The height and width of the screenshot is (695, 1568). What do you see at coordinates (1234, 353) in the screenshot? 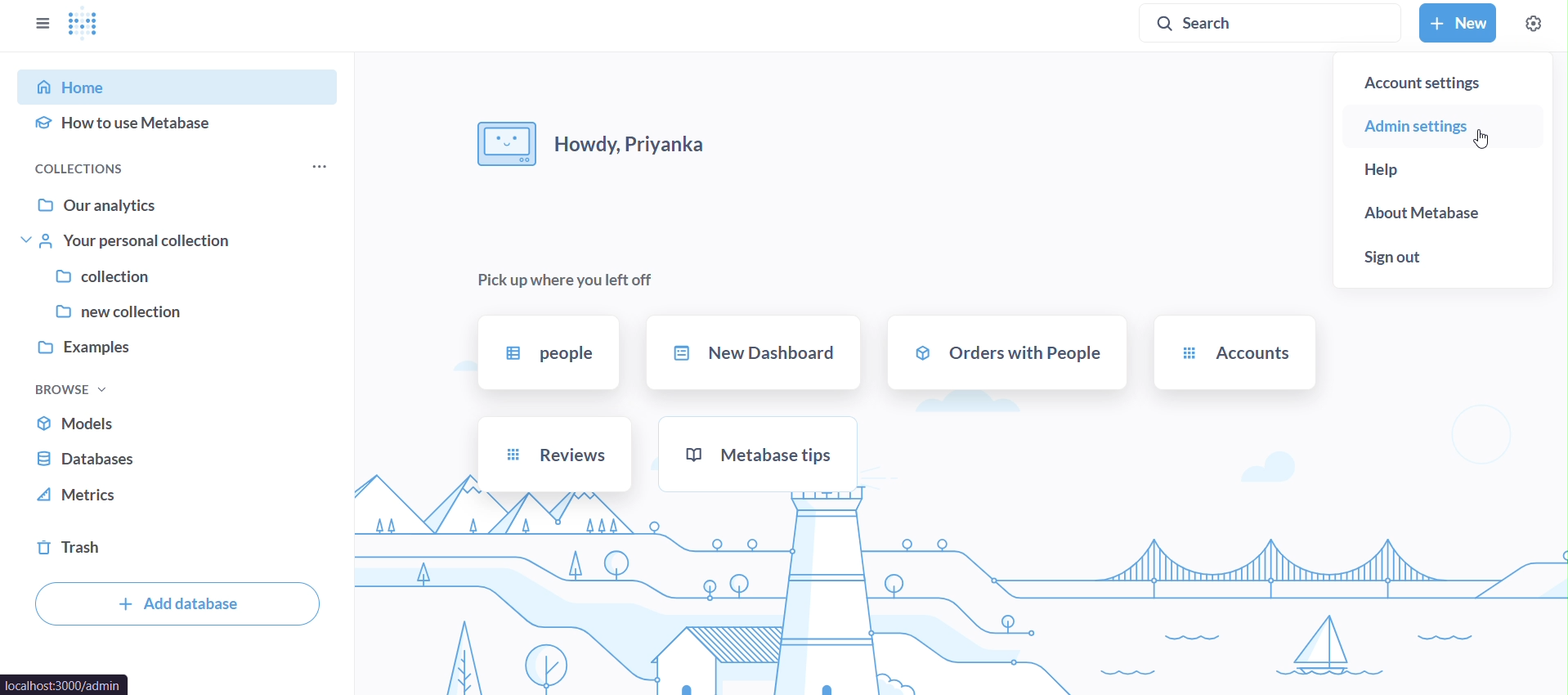
I see `accounts` at bounding box center [1234, 353].